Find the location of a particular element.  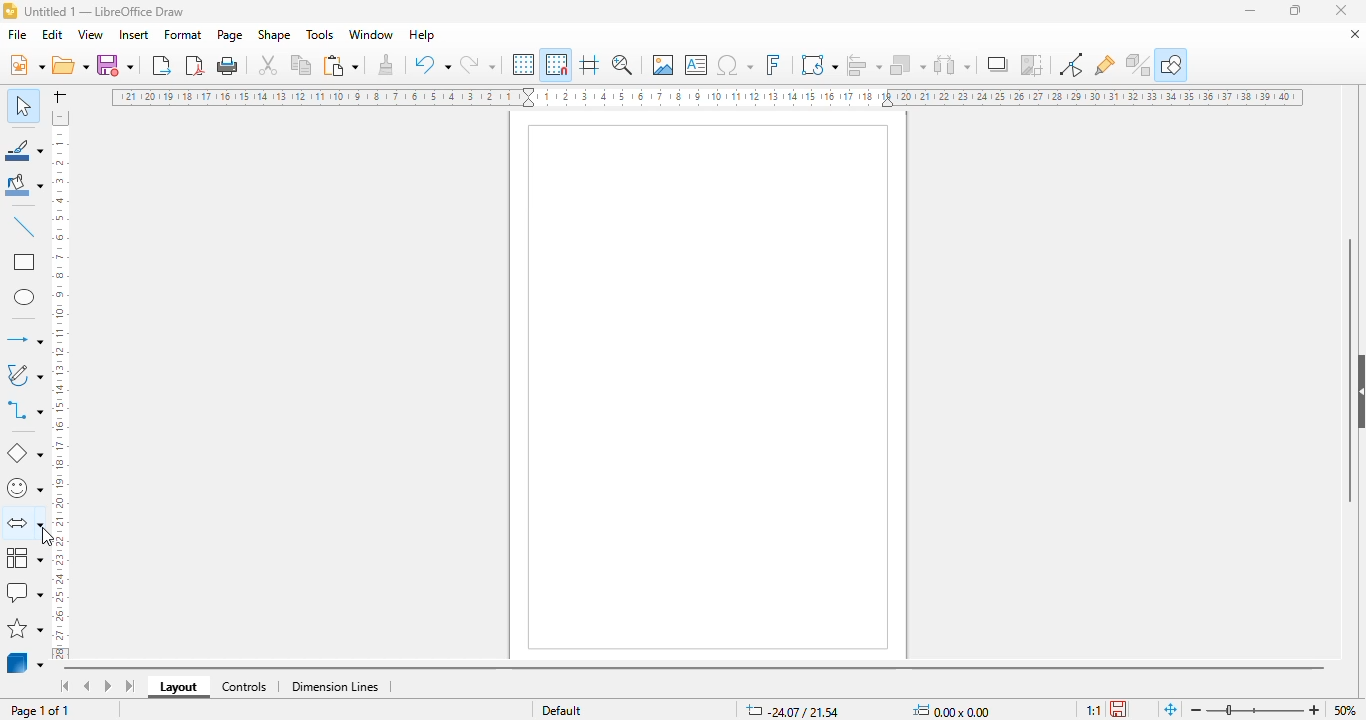

X&Y coordinates is located at coordinates (791, 710).